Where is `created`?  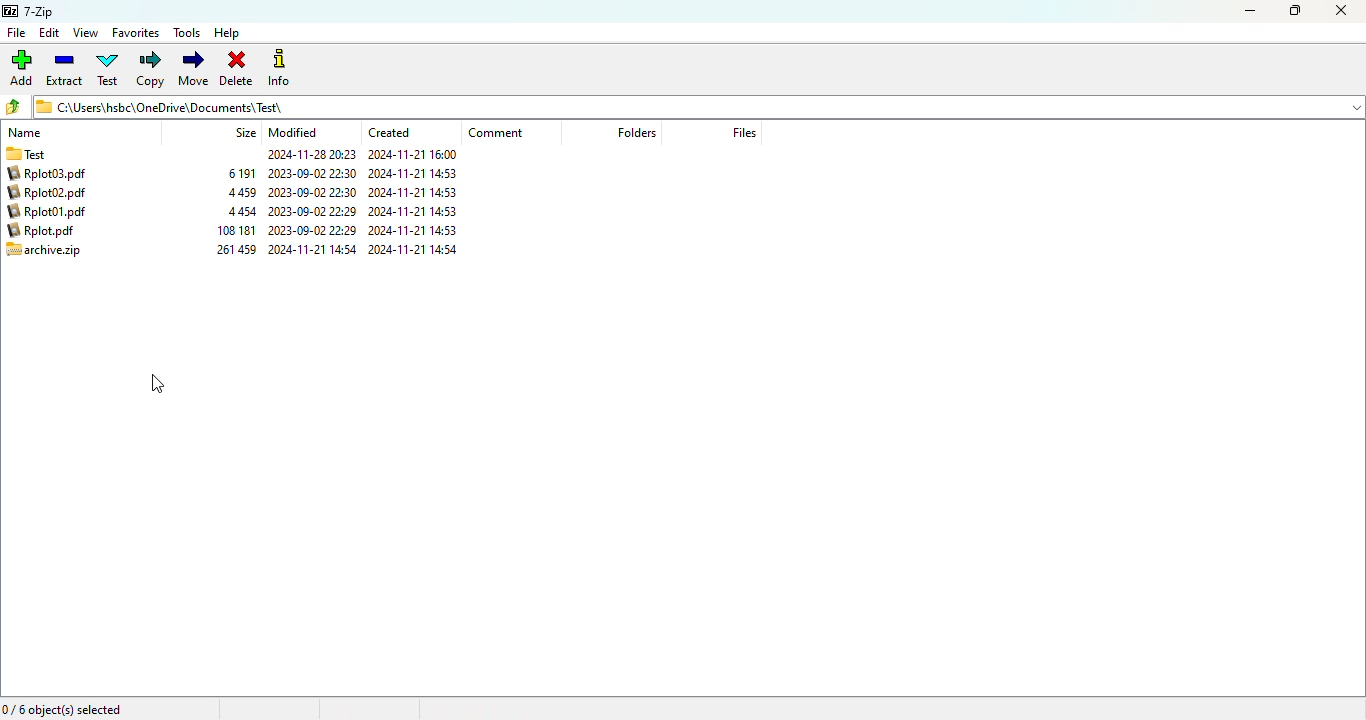
created is located at coordinates (389, 132).